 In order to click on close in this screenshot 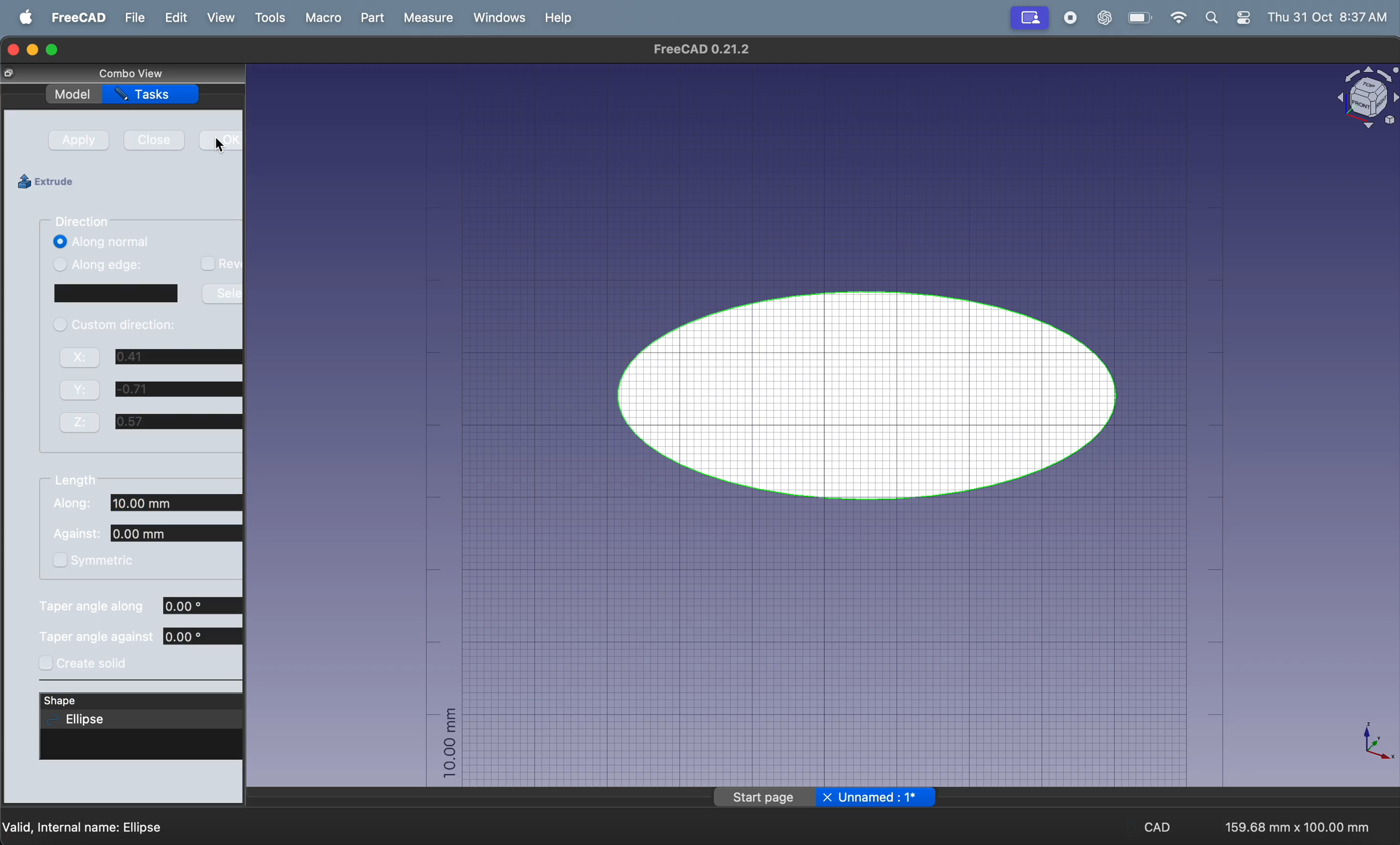, I will do `click(16, 74)`.